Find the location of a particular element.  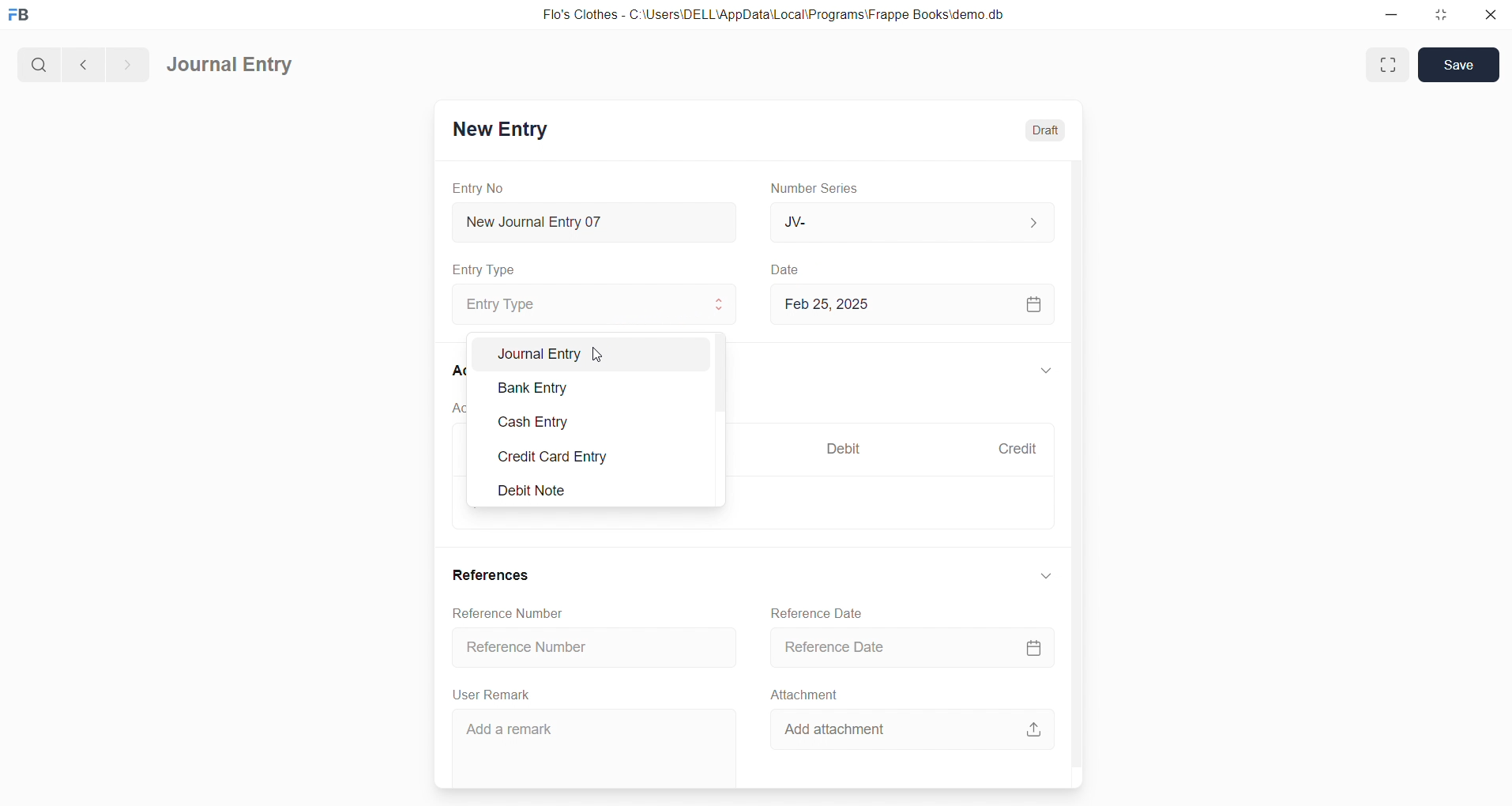

Journal Entry is located at coordinates (231, 66).